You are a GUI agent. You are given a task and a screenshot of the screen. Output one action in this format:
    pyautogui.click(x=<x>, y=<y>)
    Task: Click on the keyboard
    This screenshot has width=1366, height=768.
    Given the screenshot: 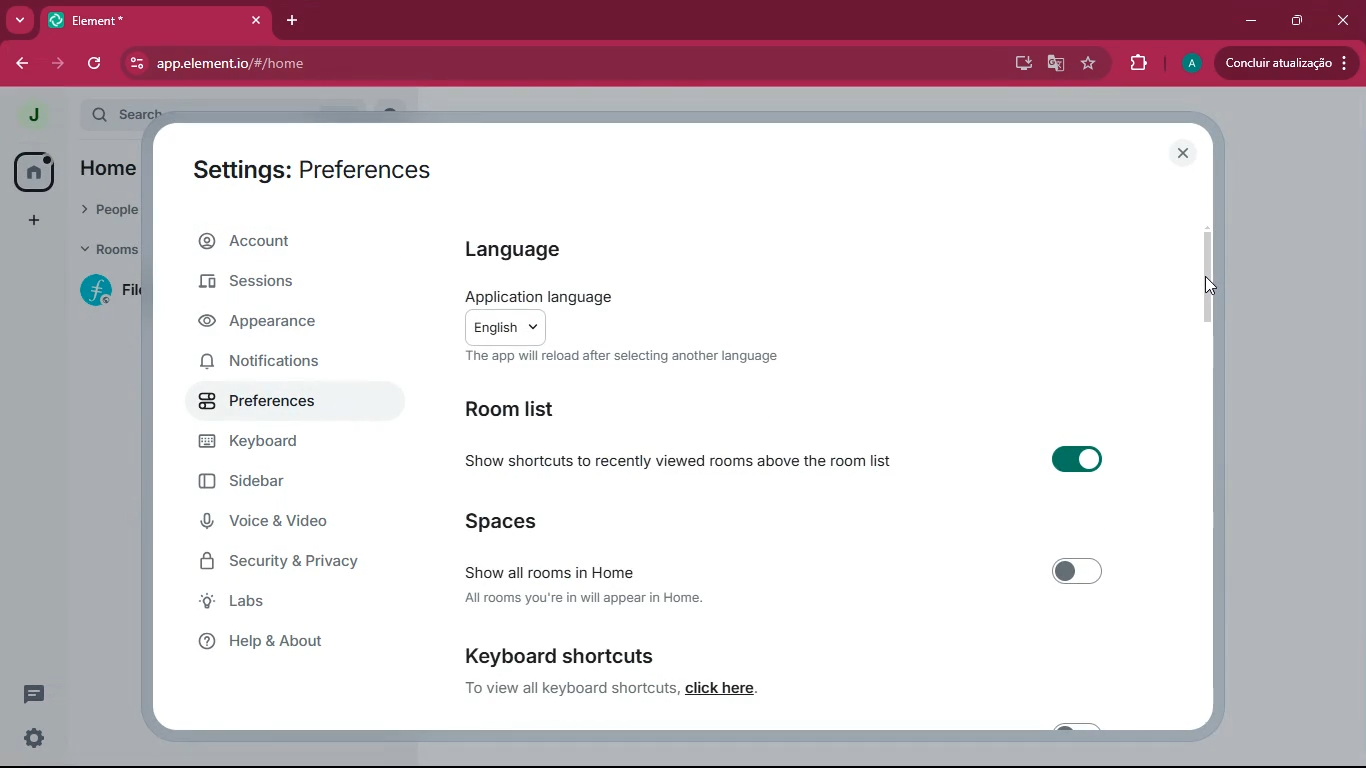 What is the action you would take?
    pyautogui.click(x=280, y=447)
    